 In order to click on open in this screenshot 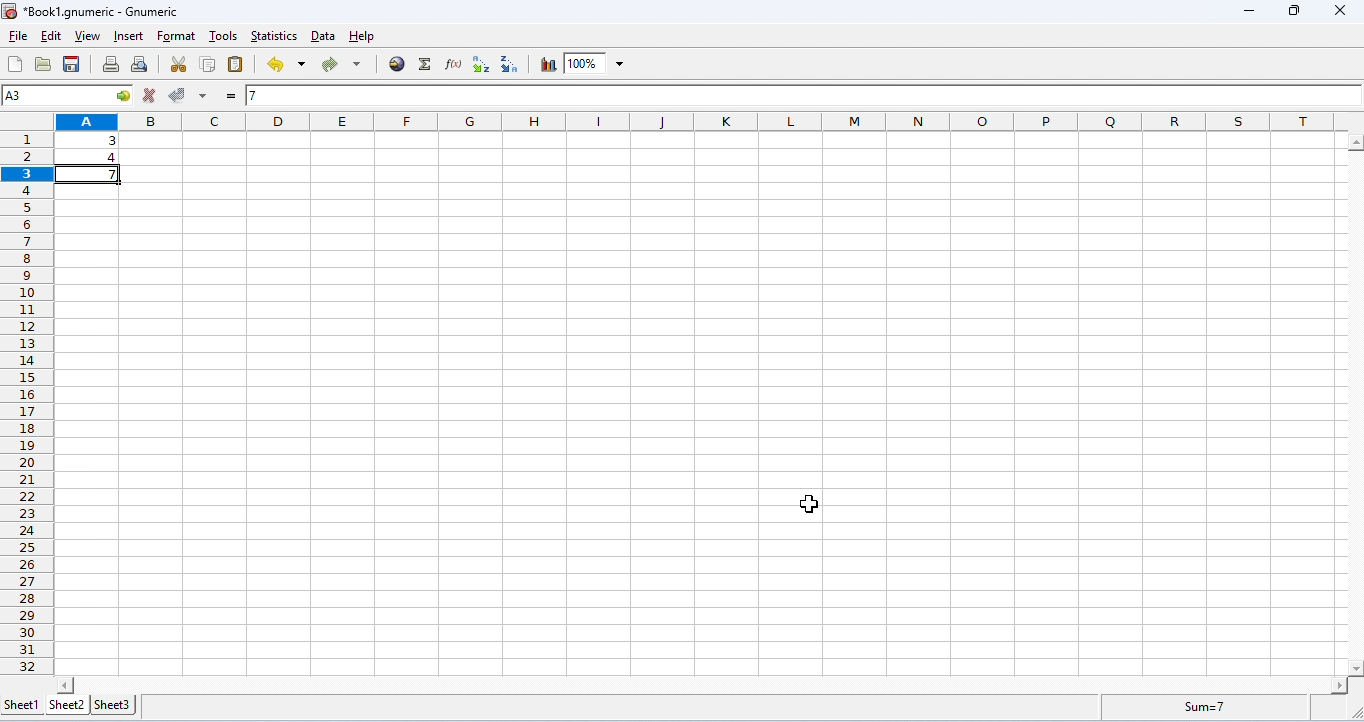, I will do `click(43, 64)`.